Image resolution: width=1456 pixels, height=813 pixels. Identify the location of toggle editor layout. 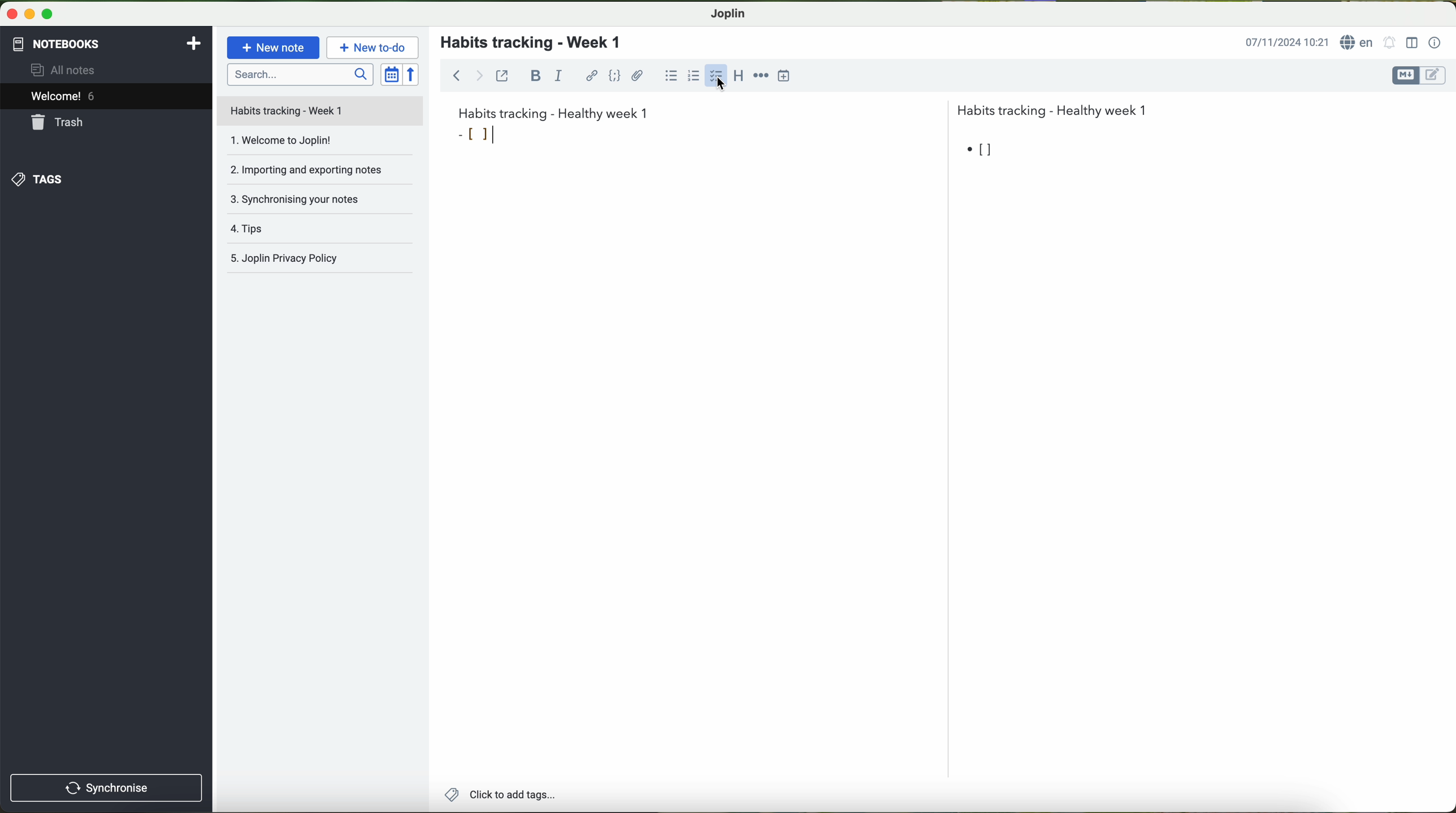
(1412, 43).